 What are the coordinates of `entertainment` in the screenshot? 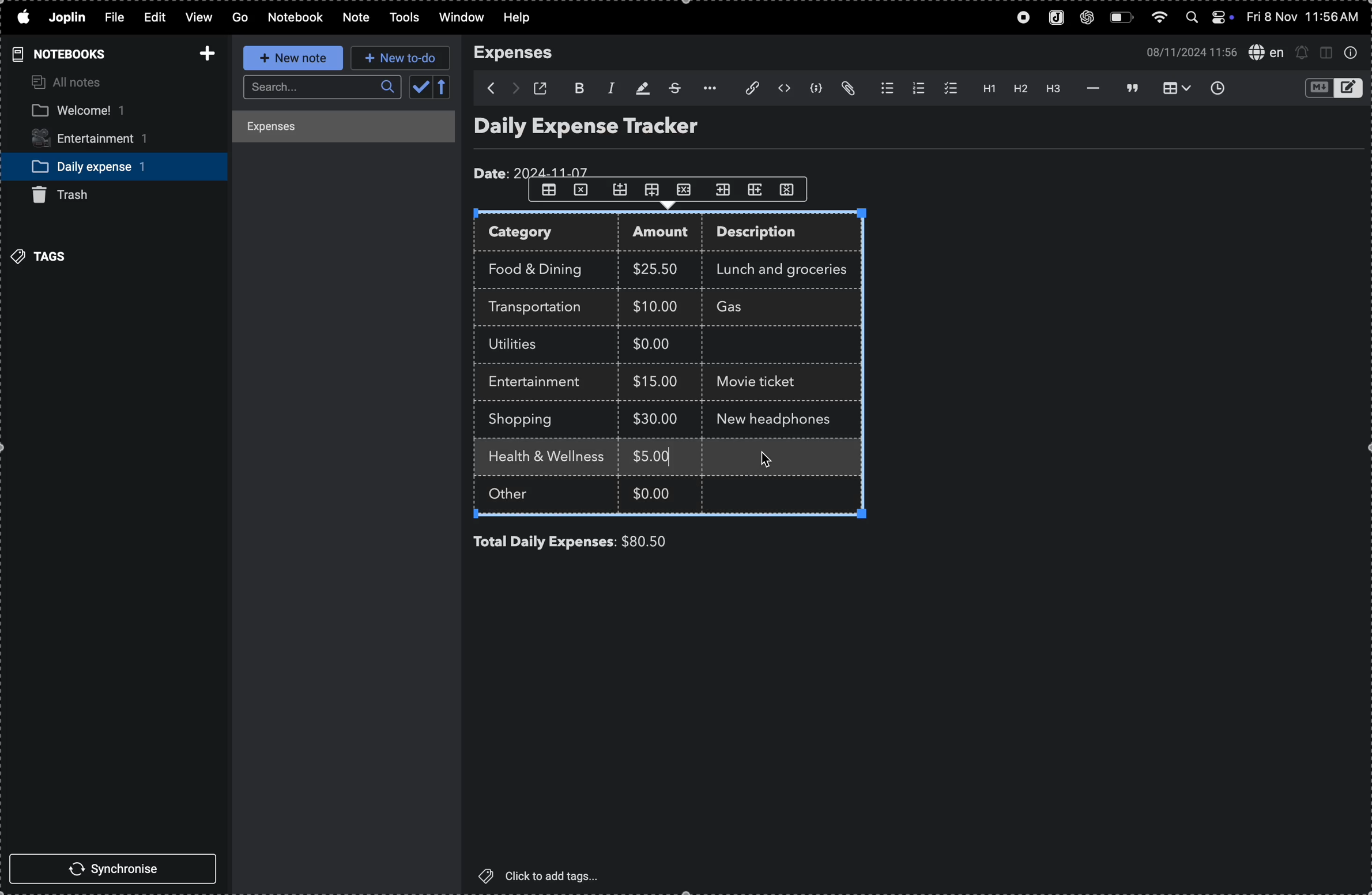 It's located at (101, 140).